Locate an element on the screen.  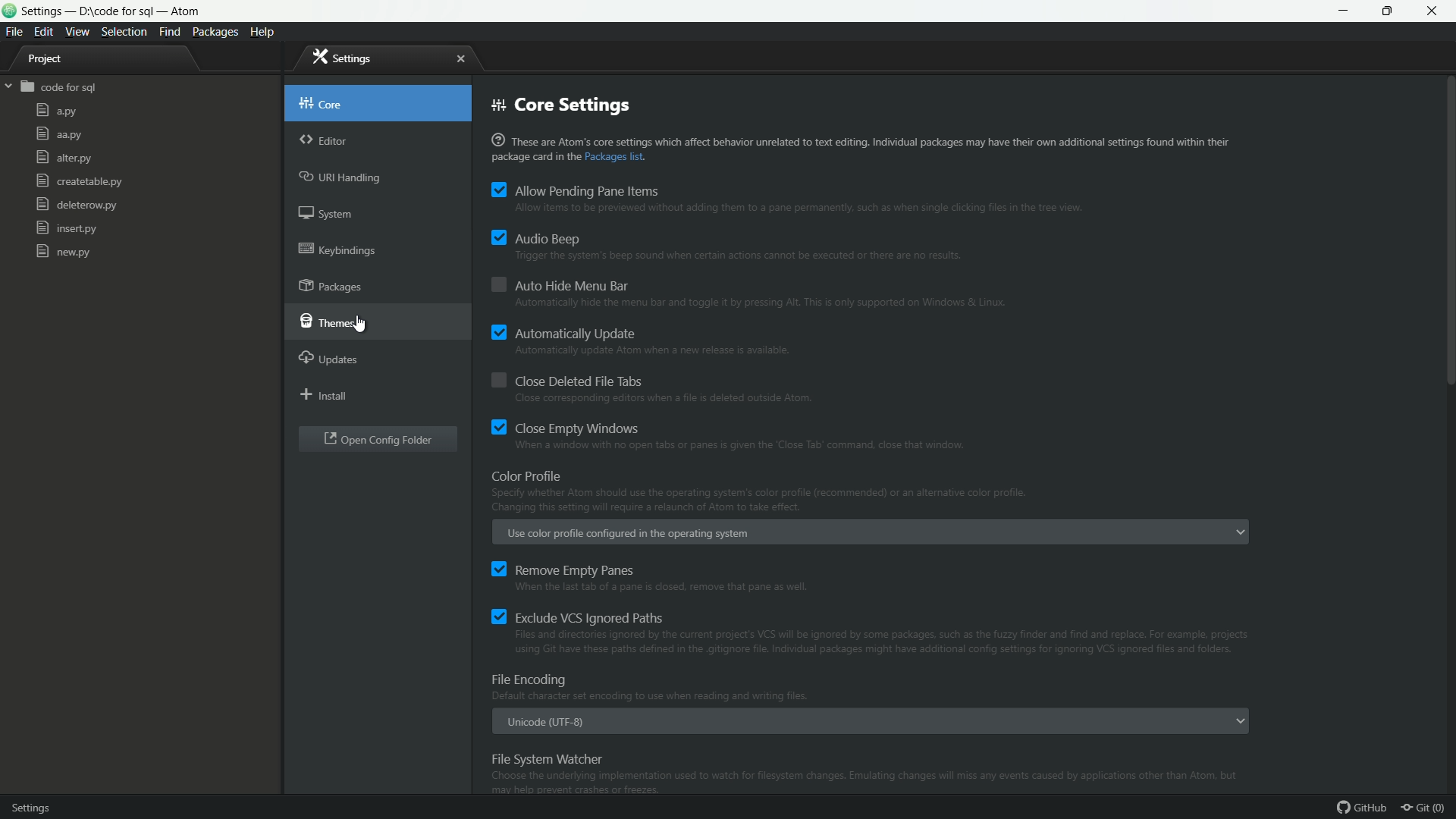
core settings is located at coordinates (560, 106).